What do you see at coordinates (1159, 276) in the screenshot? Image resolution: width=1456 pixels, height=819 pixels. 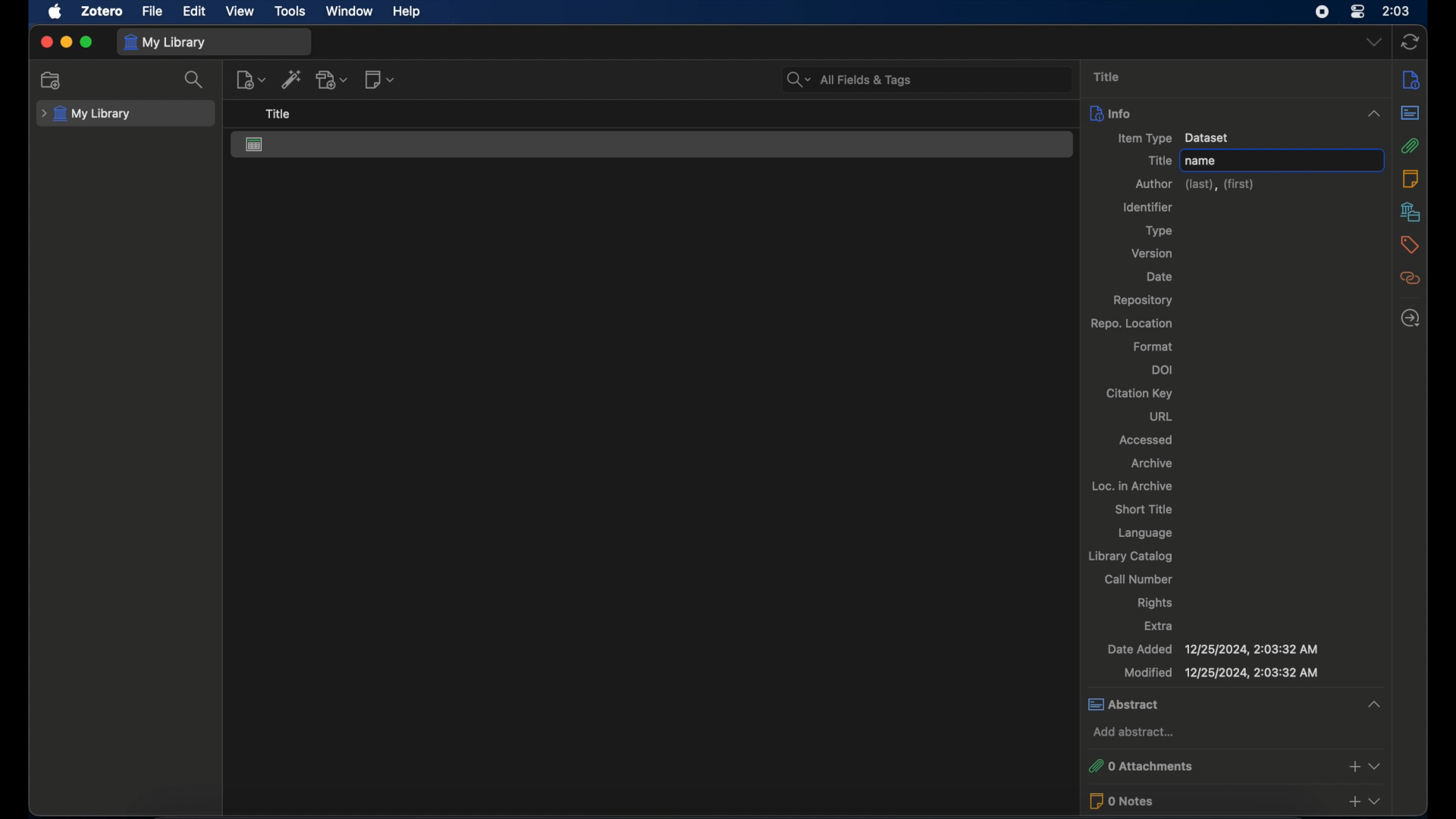 I see `date` at bounding box center [1159, 276].